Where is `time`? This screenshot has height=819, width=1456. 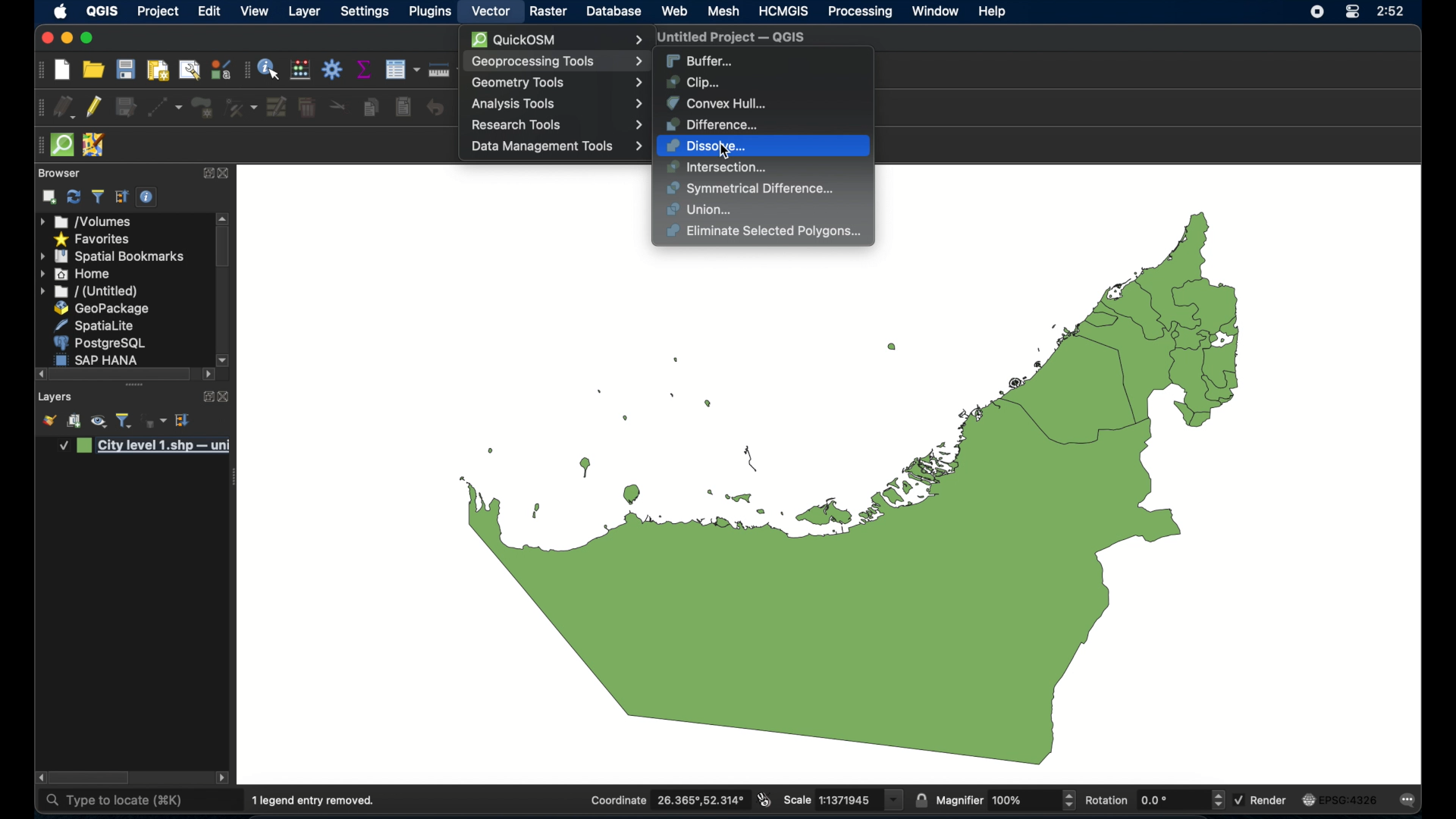 time is located at coordinates (1392, 12).